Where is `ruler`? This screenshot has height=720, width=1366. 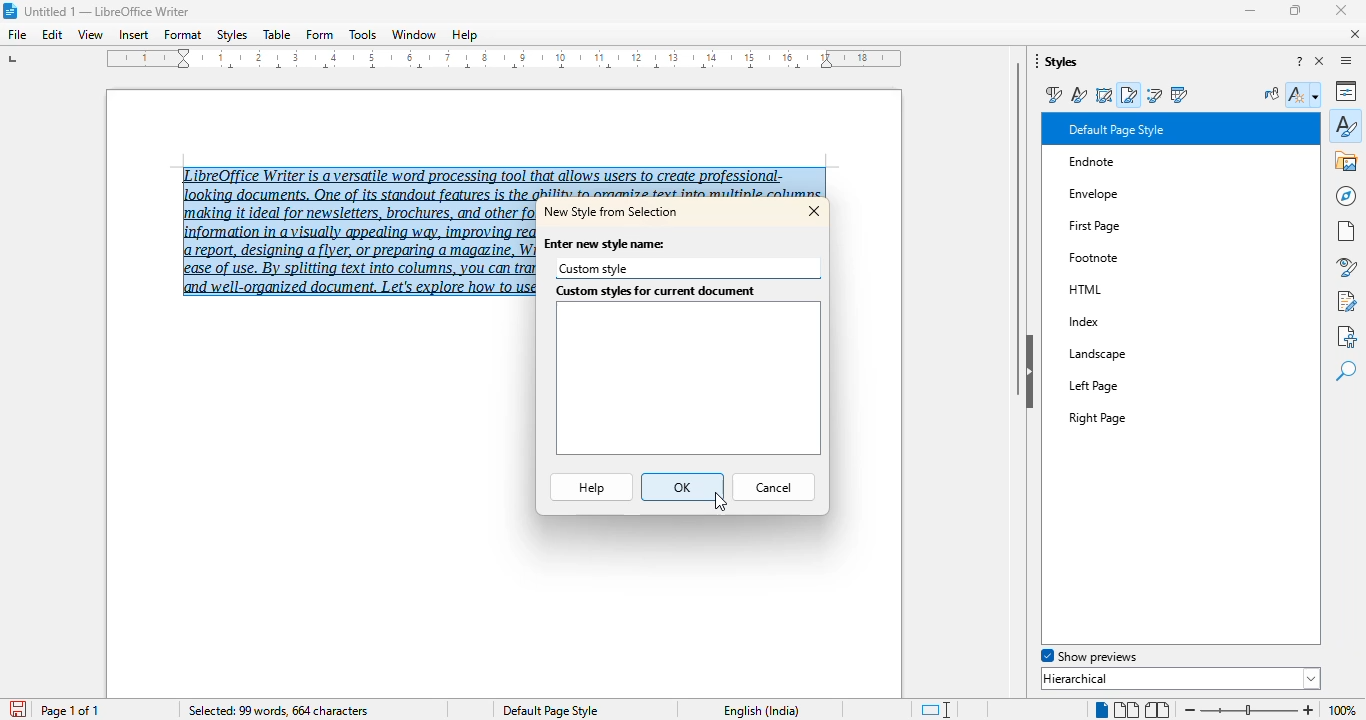
ruler is located at coordinates (508, 62).